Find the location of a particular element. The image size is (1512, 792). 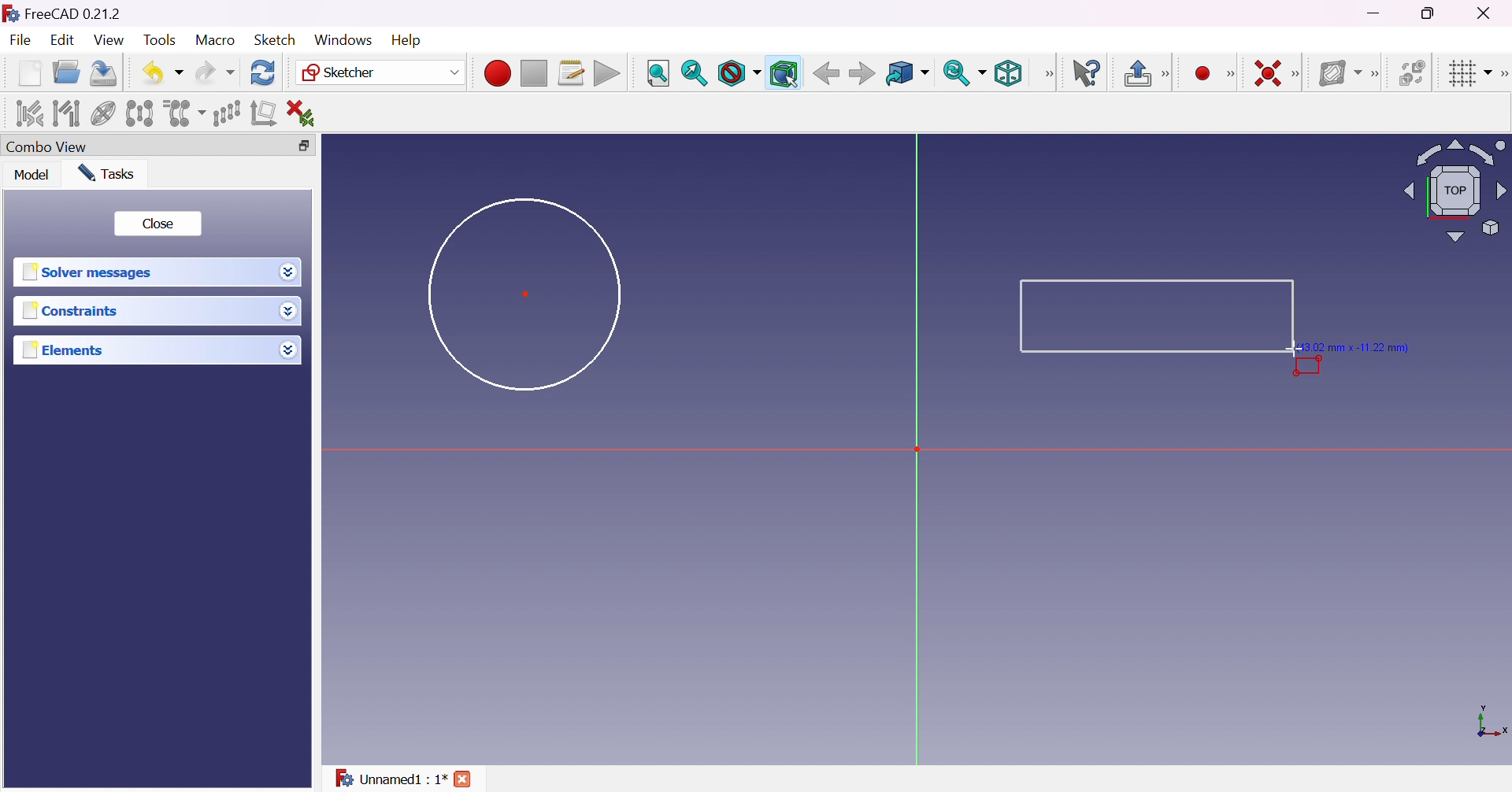

Leave sketch is located at coordinates (1147, 73).